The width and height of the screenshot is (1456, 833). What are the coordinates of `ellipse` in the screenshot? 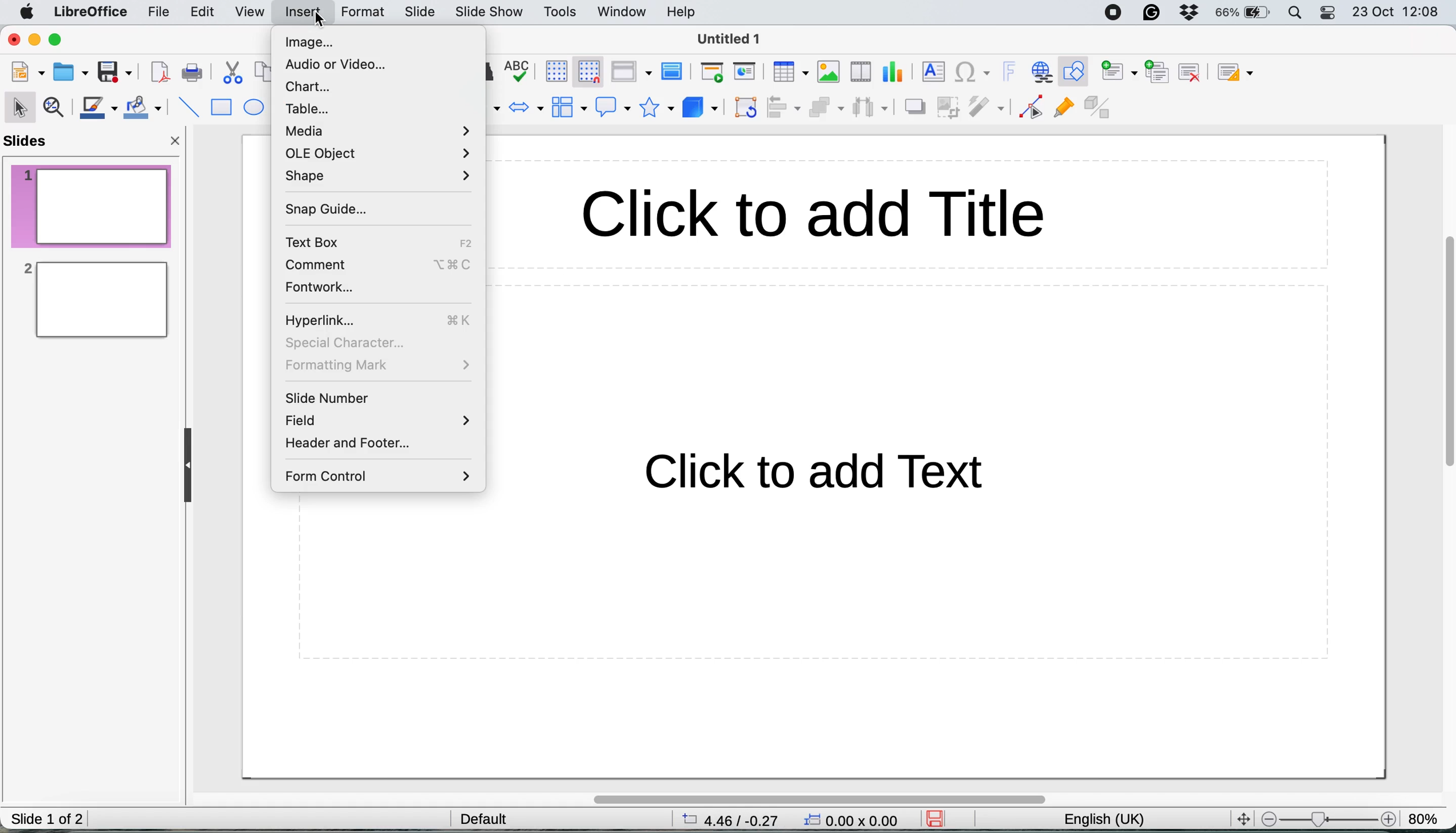 It's located at (255, 108).